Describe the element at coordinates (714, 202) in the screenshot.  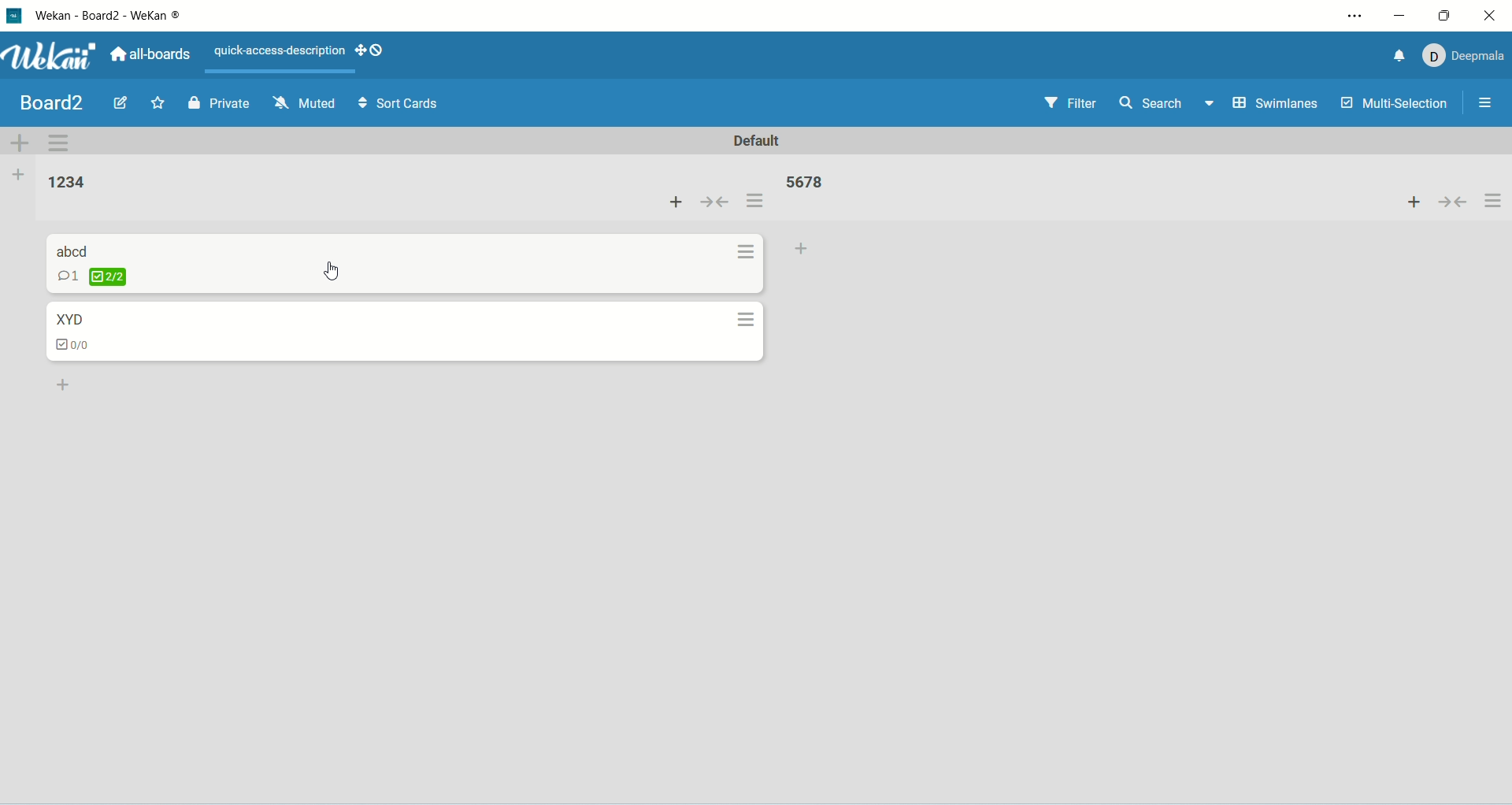
I see `collapse` at that location.